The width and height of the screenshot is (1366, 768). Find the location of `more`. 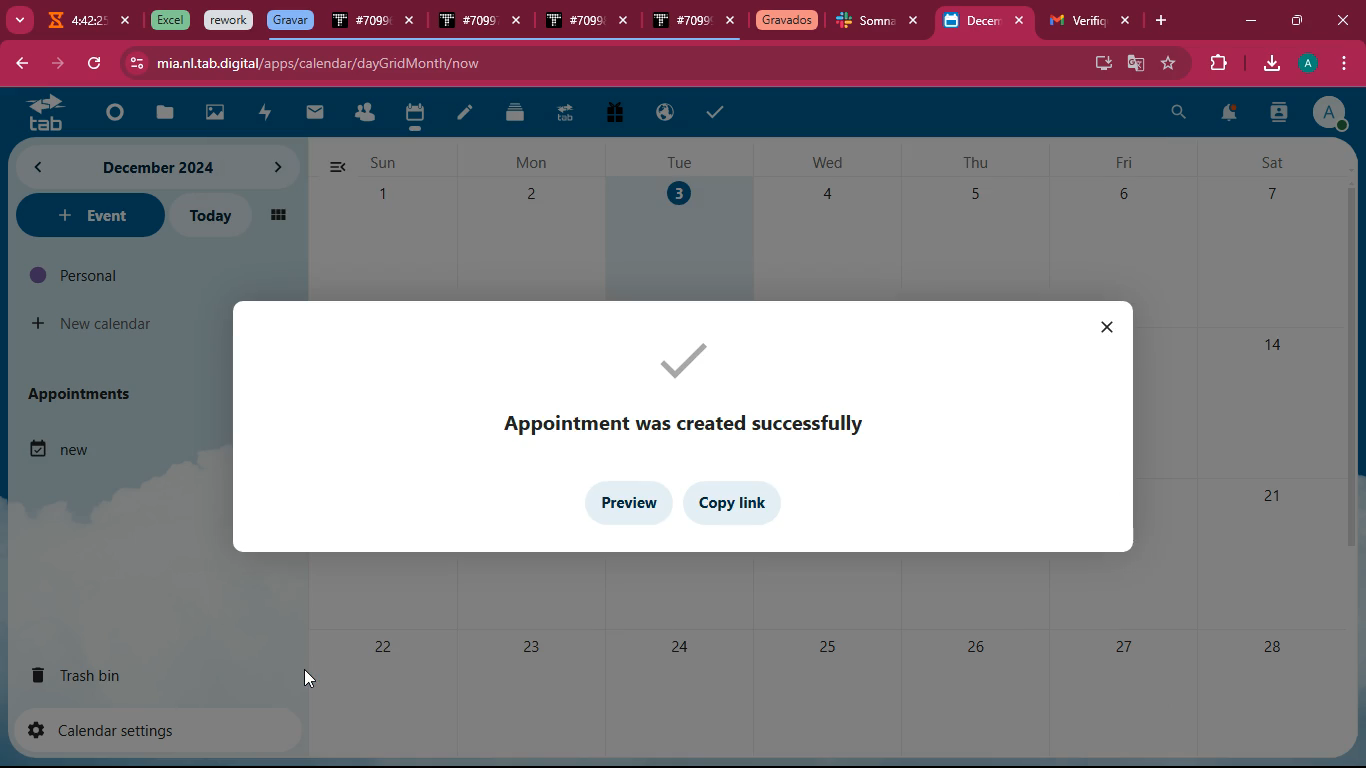

more is located at coordinates (18, 18).